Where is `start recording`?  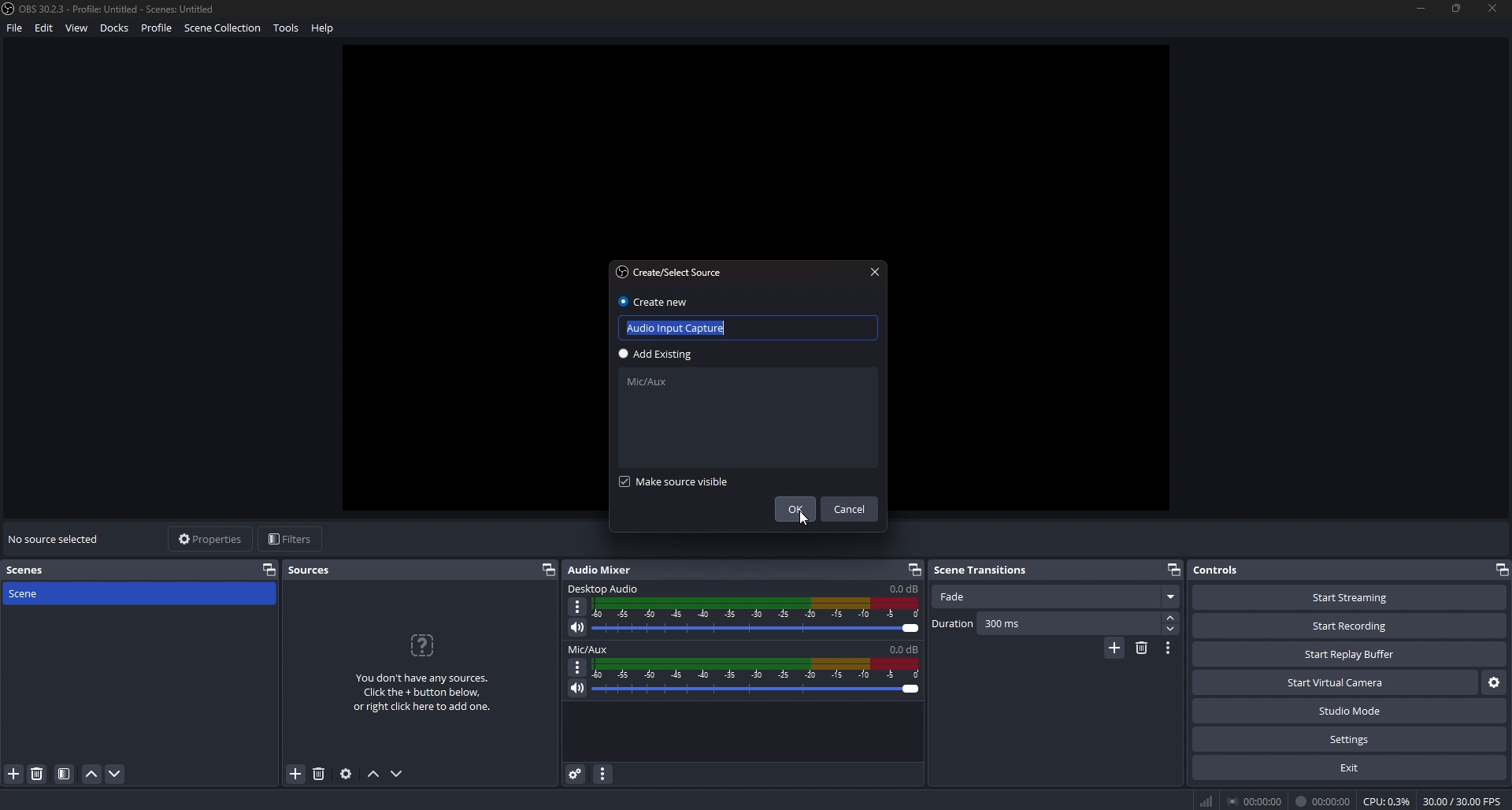 start recording is located at coordinates (1350, 626).